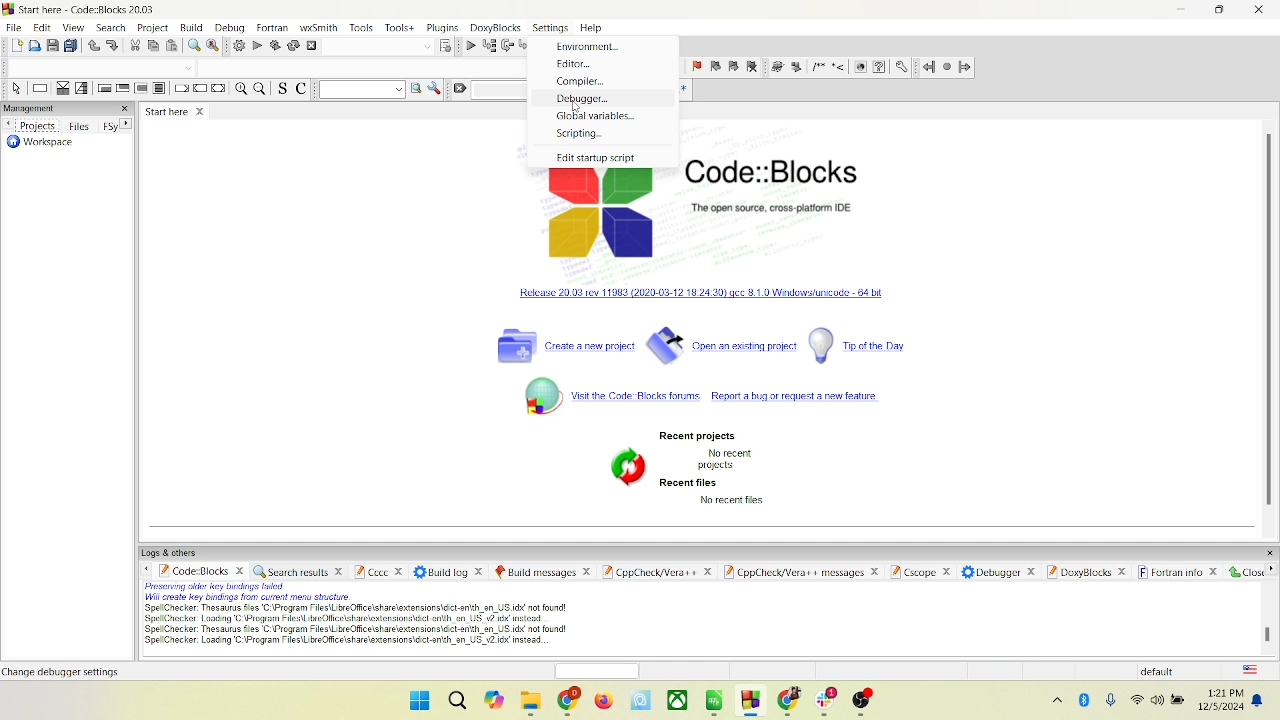 This screenshot has height=720, width=1280. What do you see at coordinates (401, 28) in the screenshot?
I see `tools` at bounding box center [401, 28].